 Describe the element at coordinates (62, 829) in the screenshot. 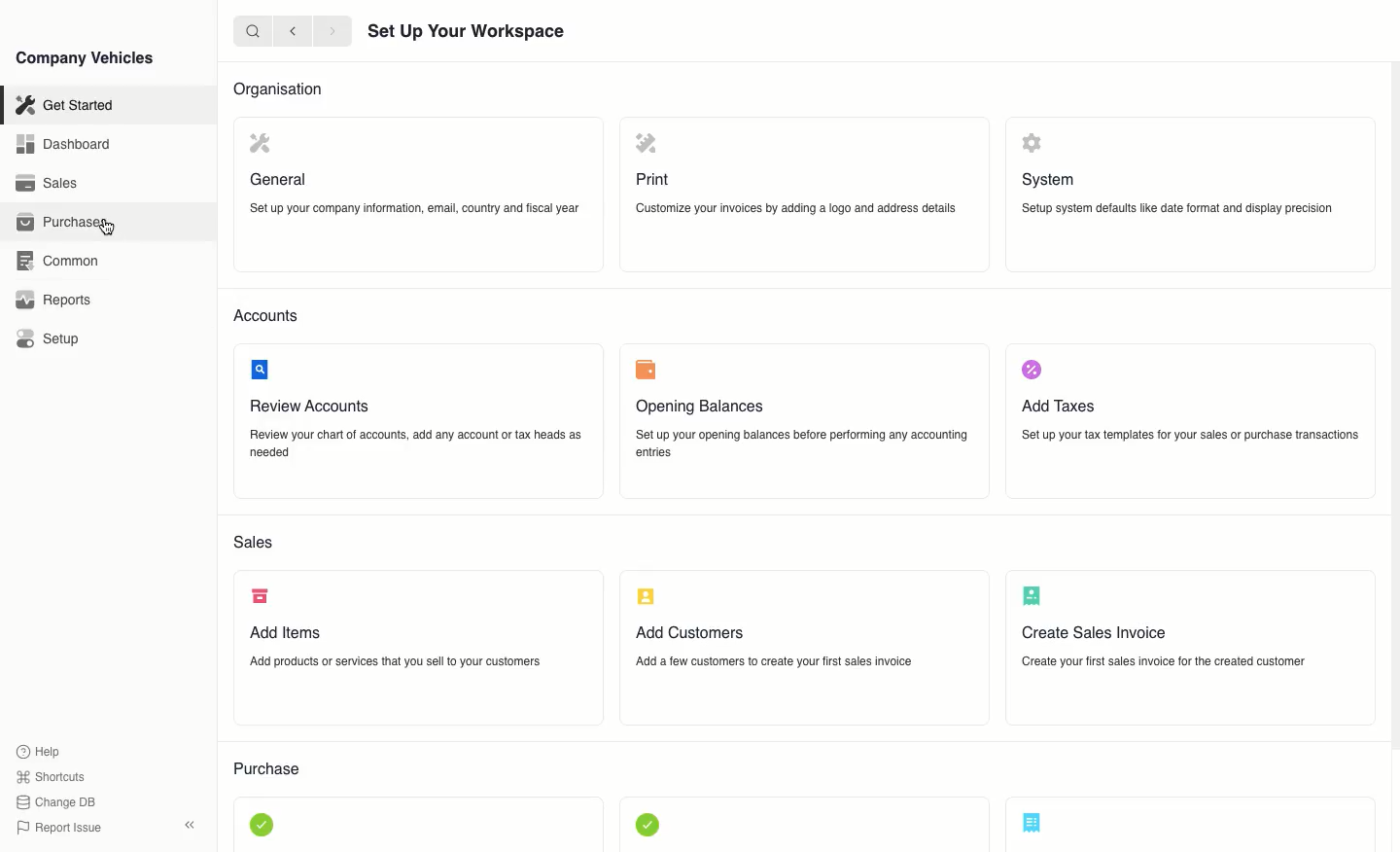

I see `Report issue` at that location.